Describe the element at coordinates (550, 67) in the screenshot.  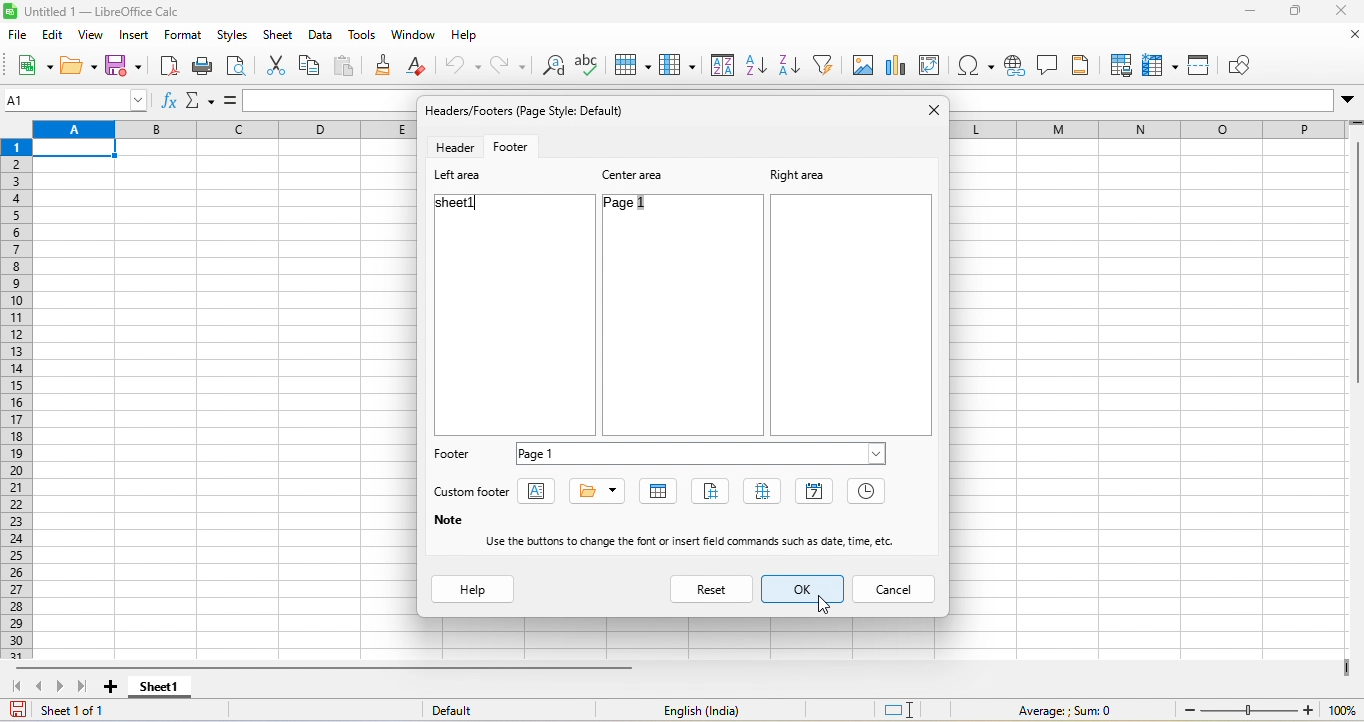
I see `find and replace` at that location.